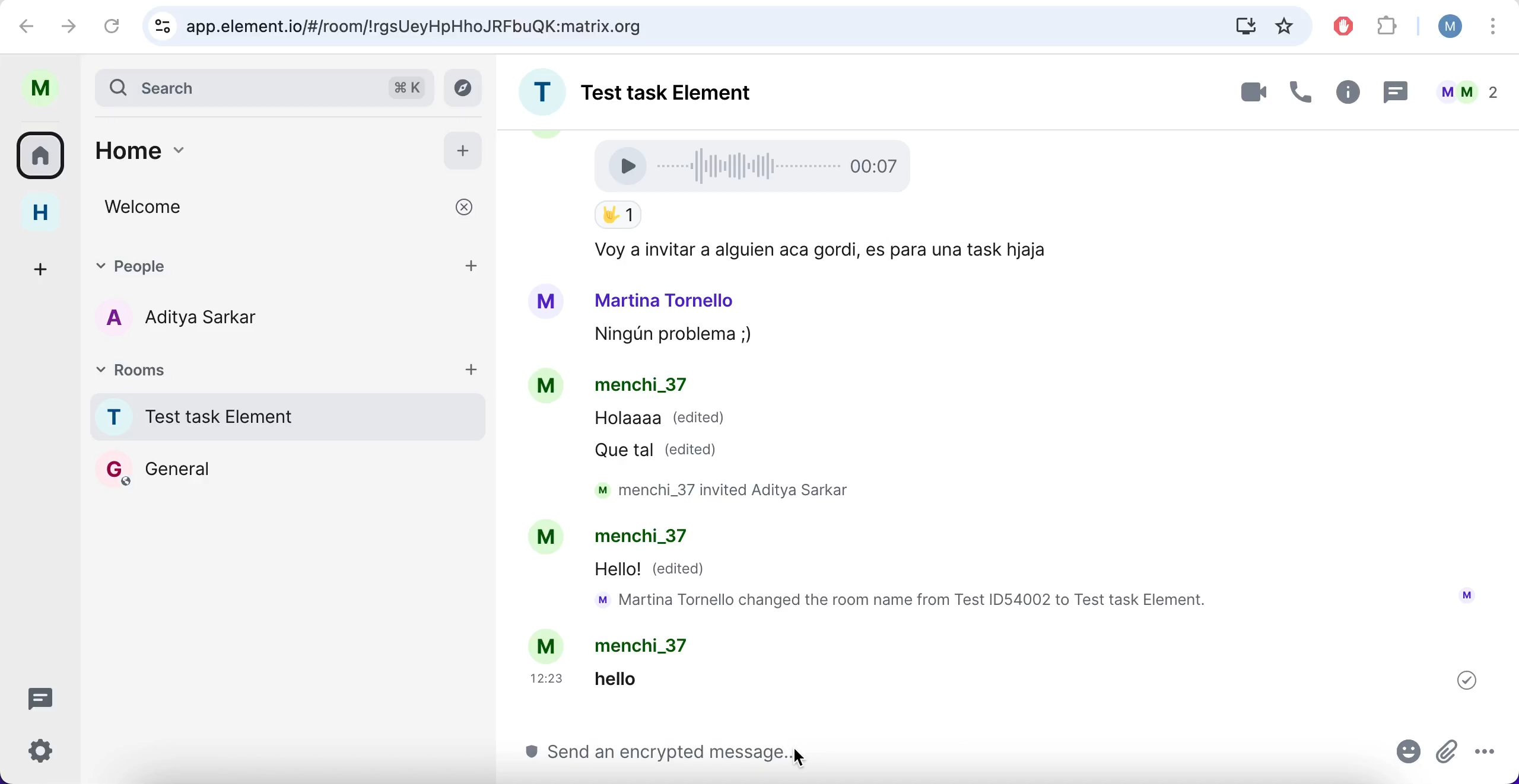  What do you see at coordinates (635, 678) in the screenshot?
I see `helio` at bounding box center [635, 678].